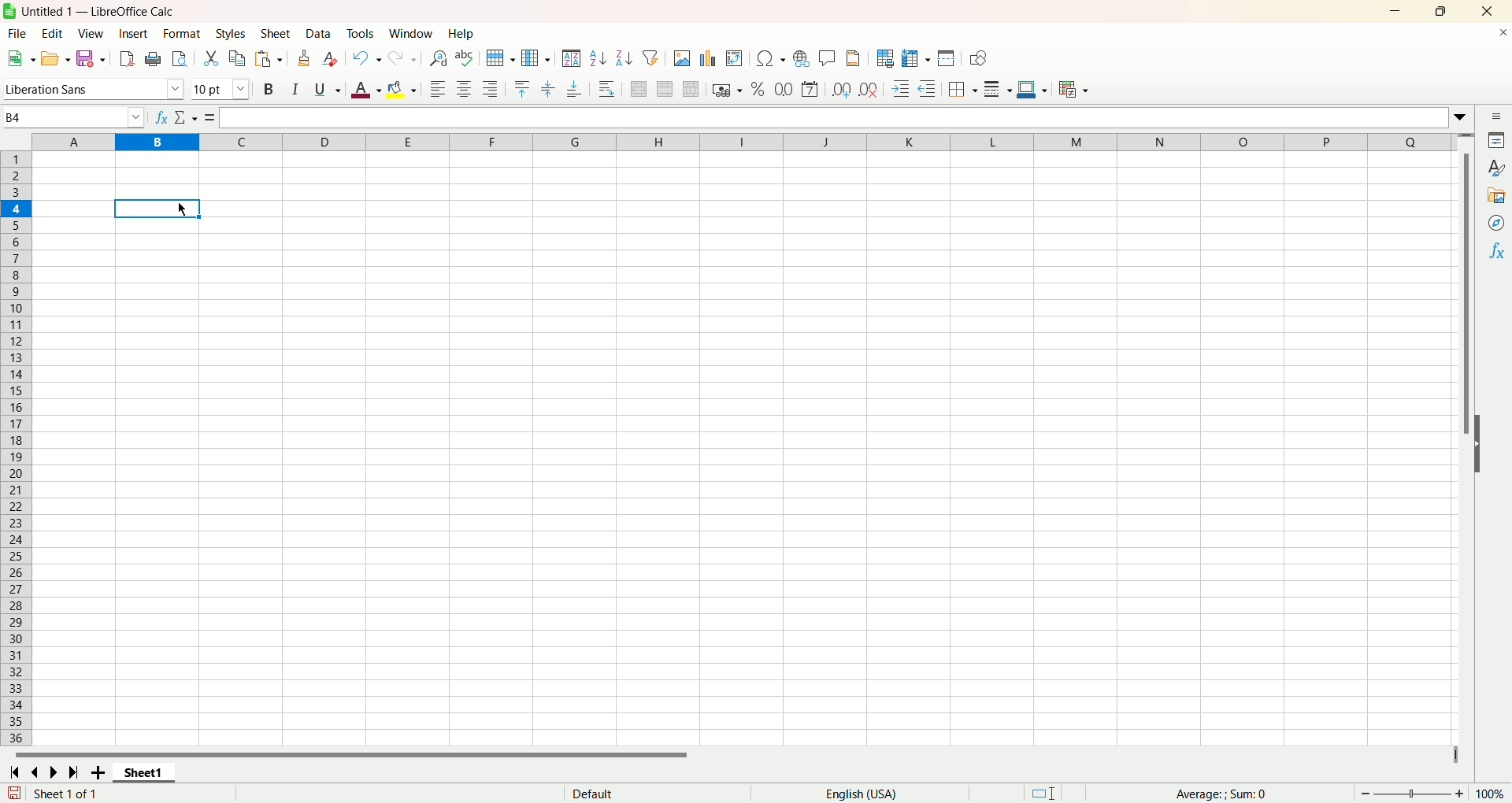 Image resolution: width=1512 pixels, height=803 pixels. Describe the element at coordinates (654, 58) in the screenshot. I see `autofilter` at that location.